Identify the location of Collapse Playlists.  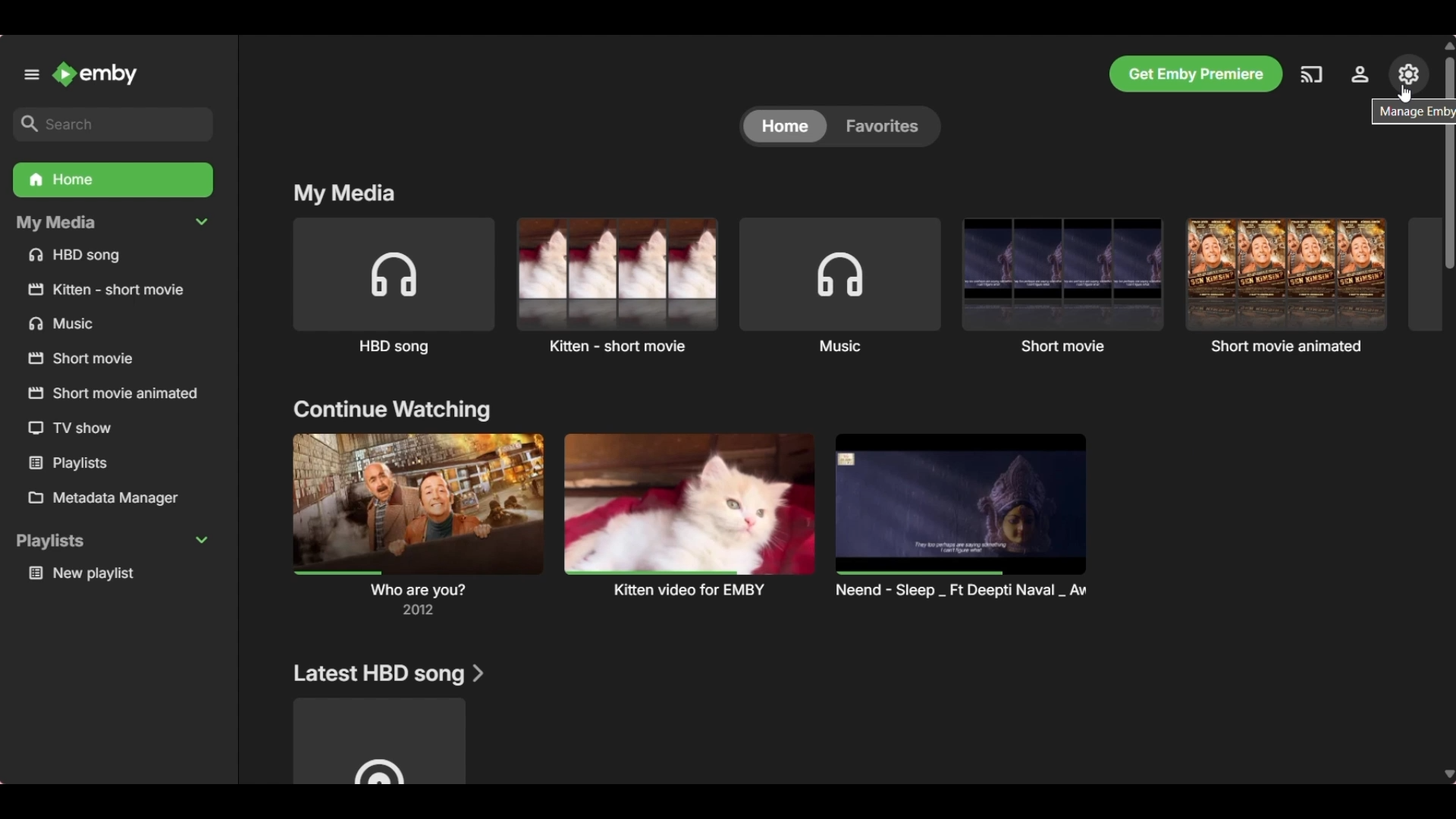
(114, 541).